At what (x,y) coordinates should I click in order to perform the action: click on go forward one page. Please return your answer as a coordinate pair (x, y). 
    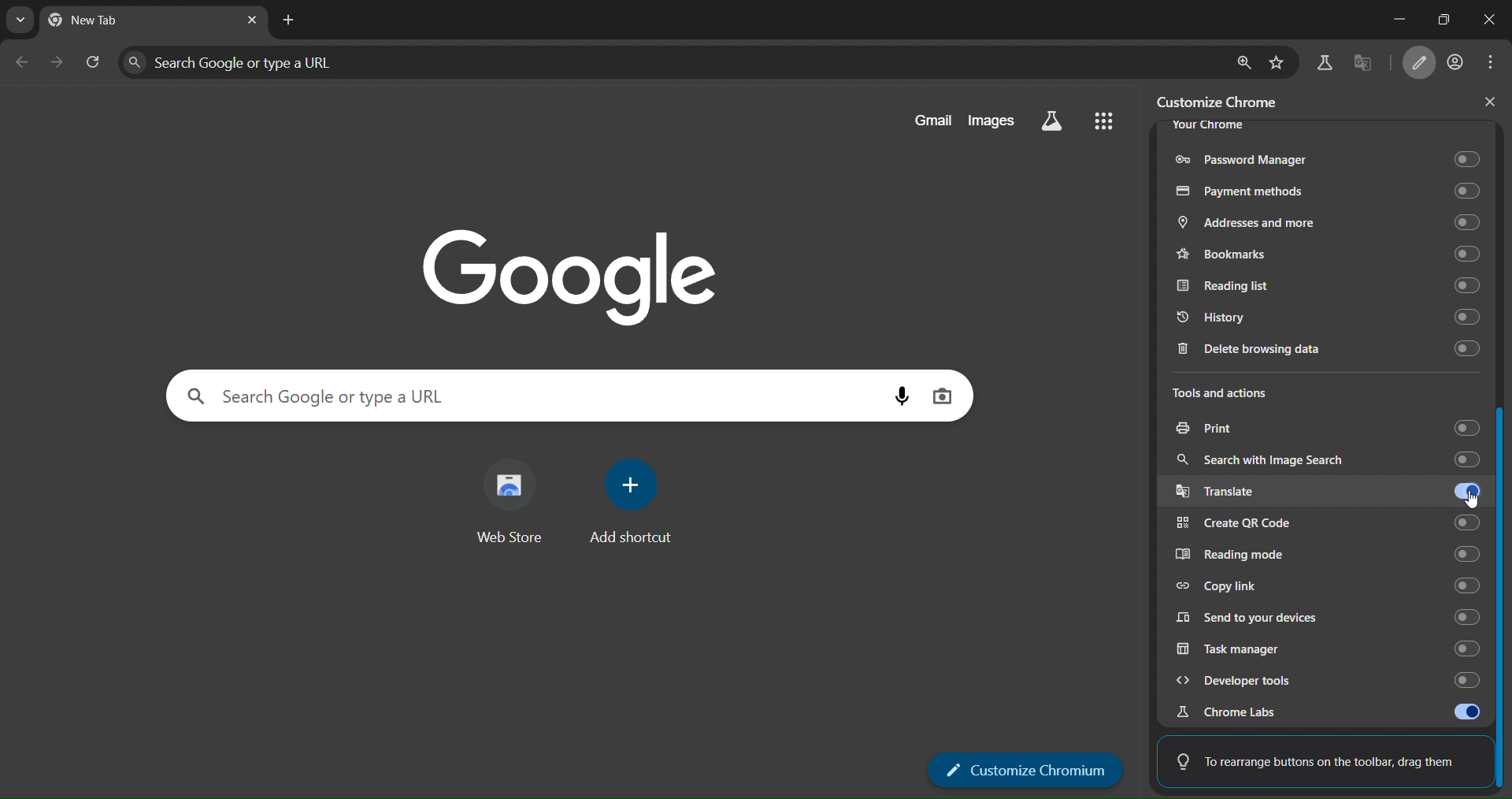
    Looking at the image, I should click on (58, 64).